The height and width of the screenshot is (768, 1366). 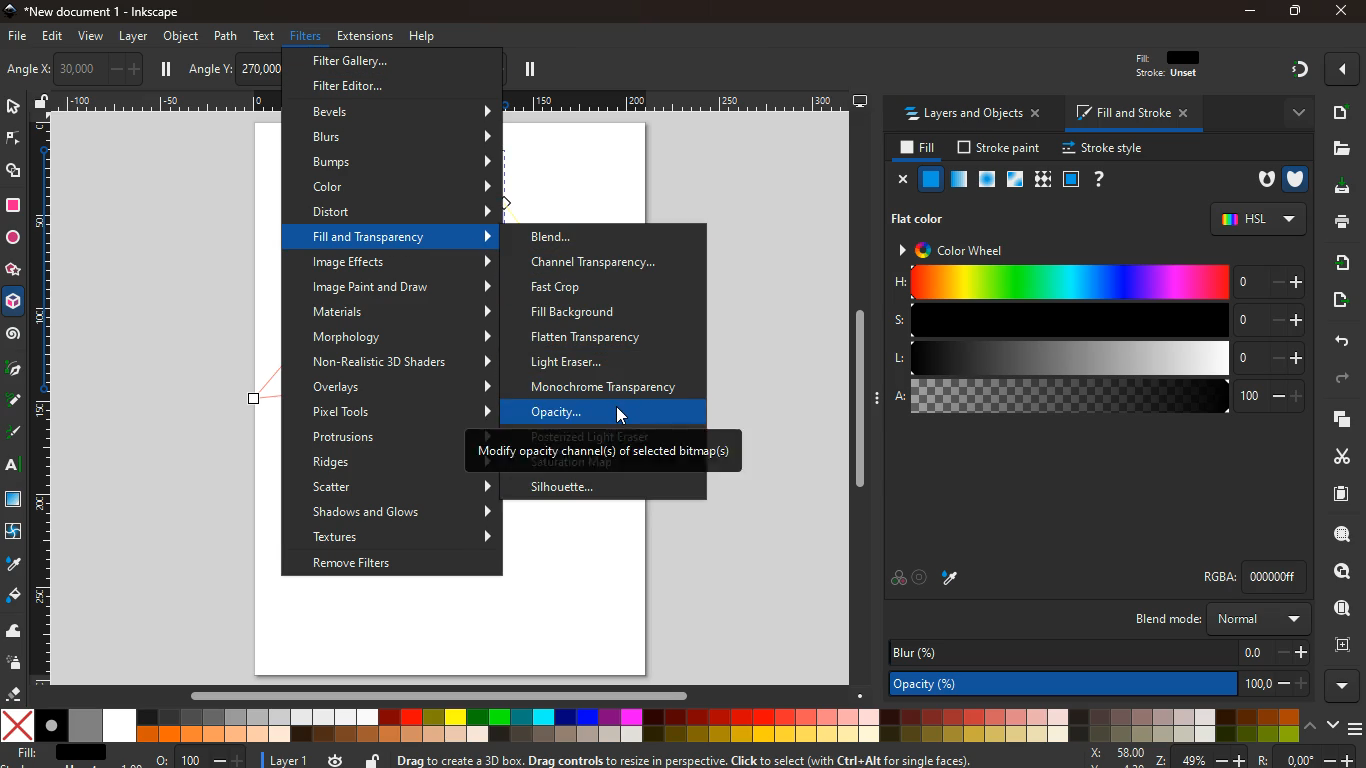 What do you see at coordinates (1099, 283) in the screenshot?
I see `h` at bounding box center [1099, 283].